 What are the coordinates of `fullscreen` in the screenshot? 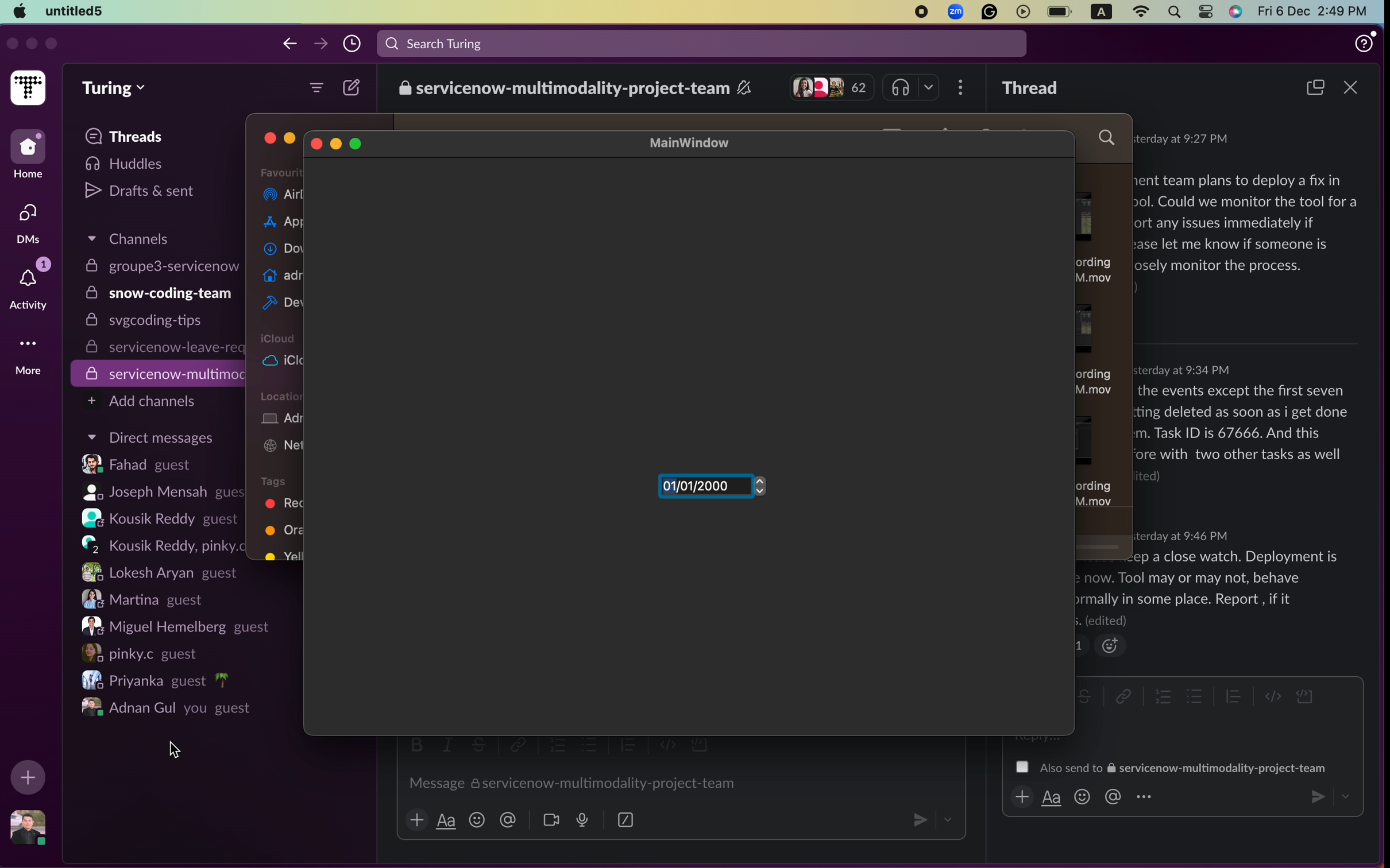 It's located at (356, 142).